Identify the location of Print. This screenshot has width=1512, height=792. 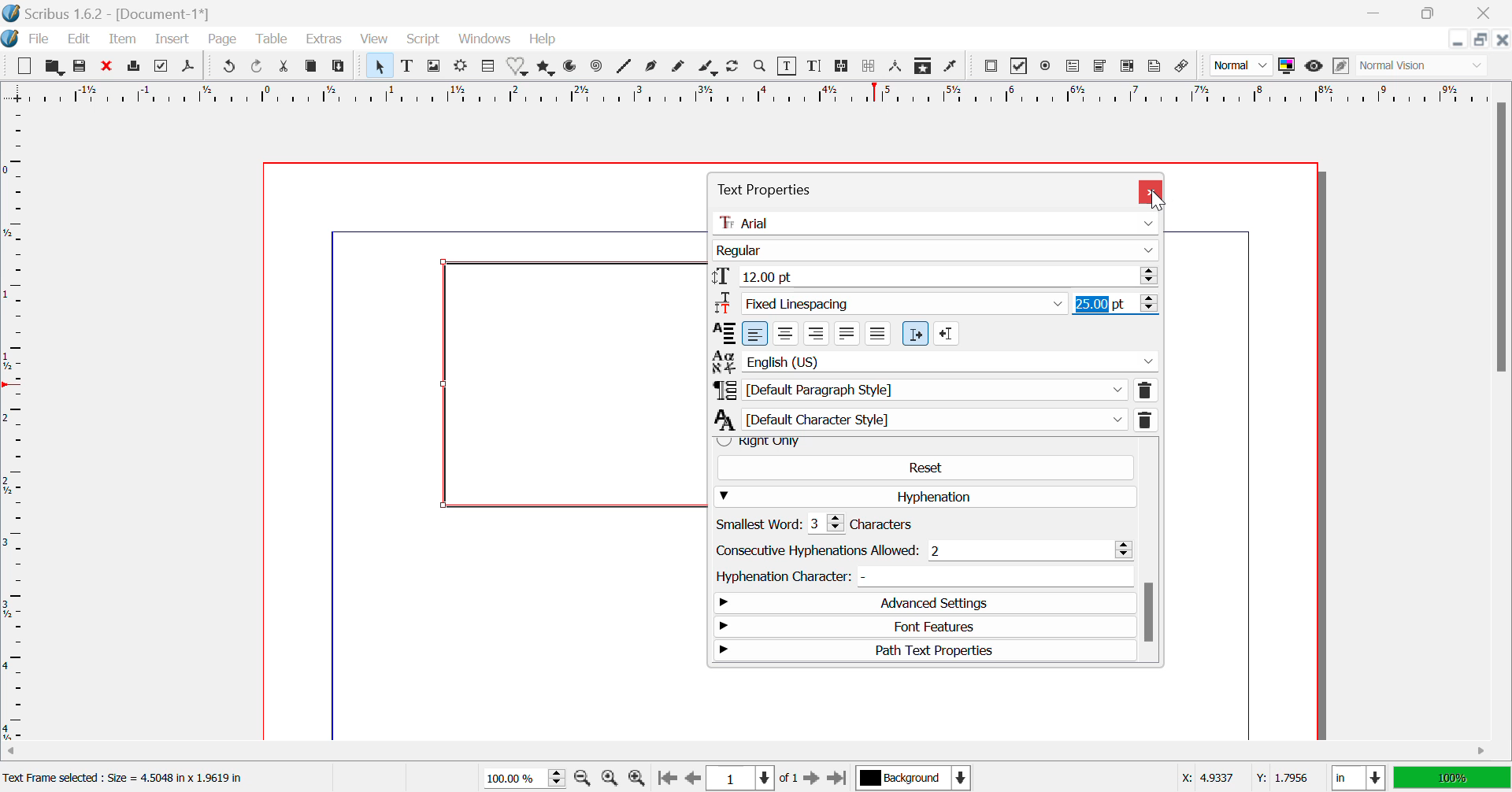
(134, 68).